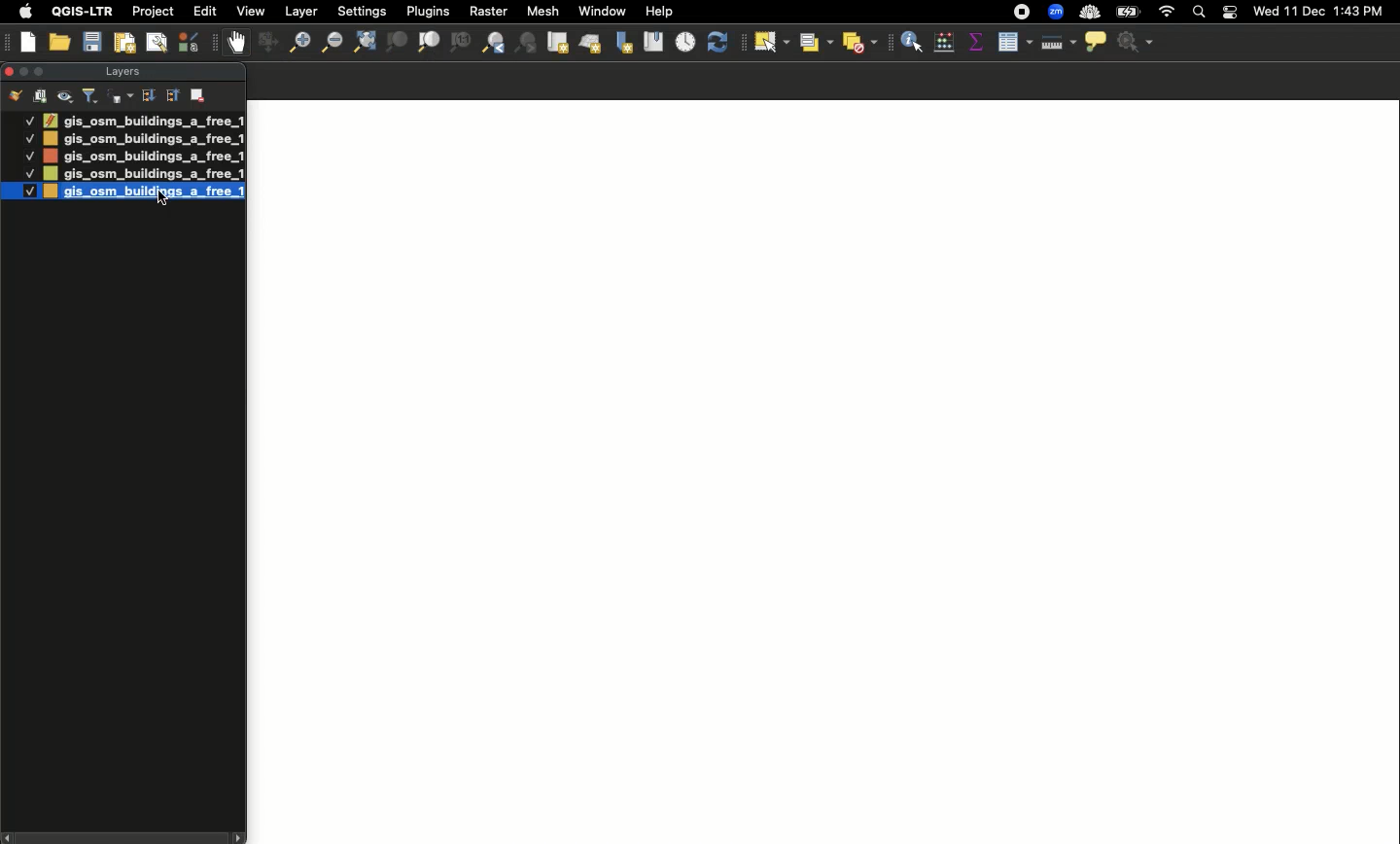 The image size is (1400, 844). I want to click on 1:43 PM, so click(1361, 11).